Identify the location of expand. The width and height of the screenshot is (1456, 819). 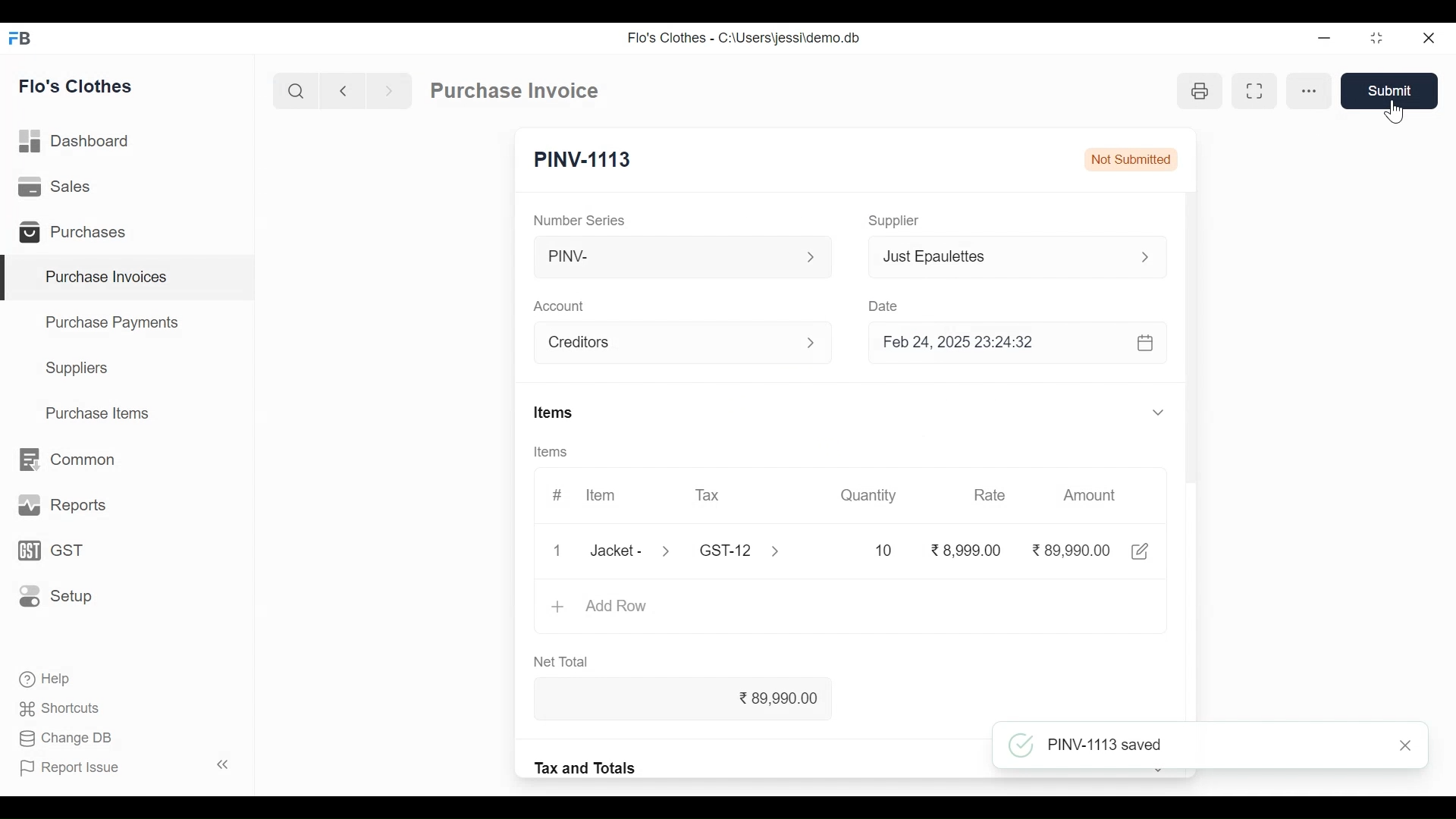
(811, 257).